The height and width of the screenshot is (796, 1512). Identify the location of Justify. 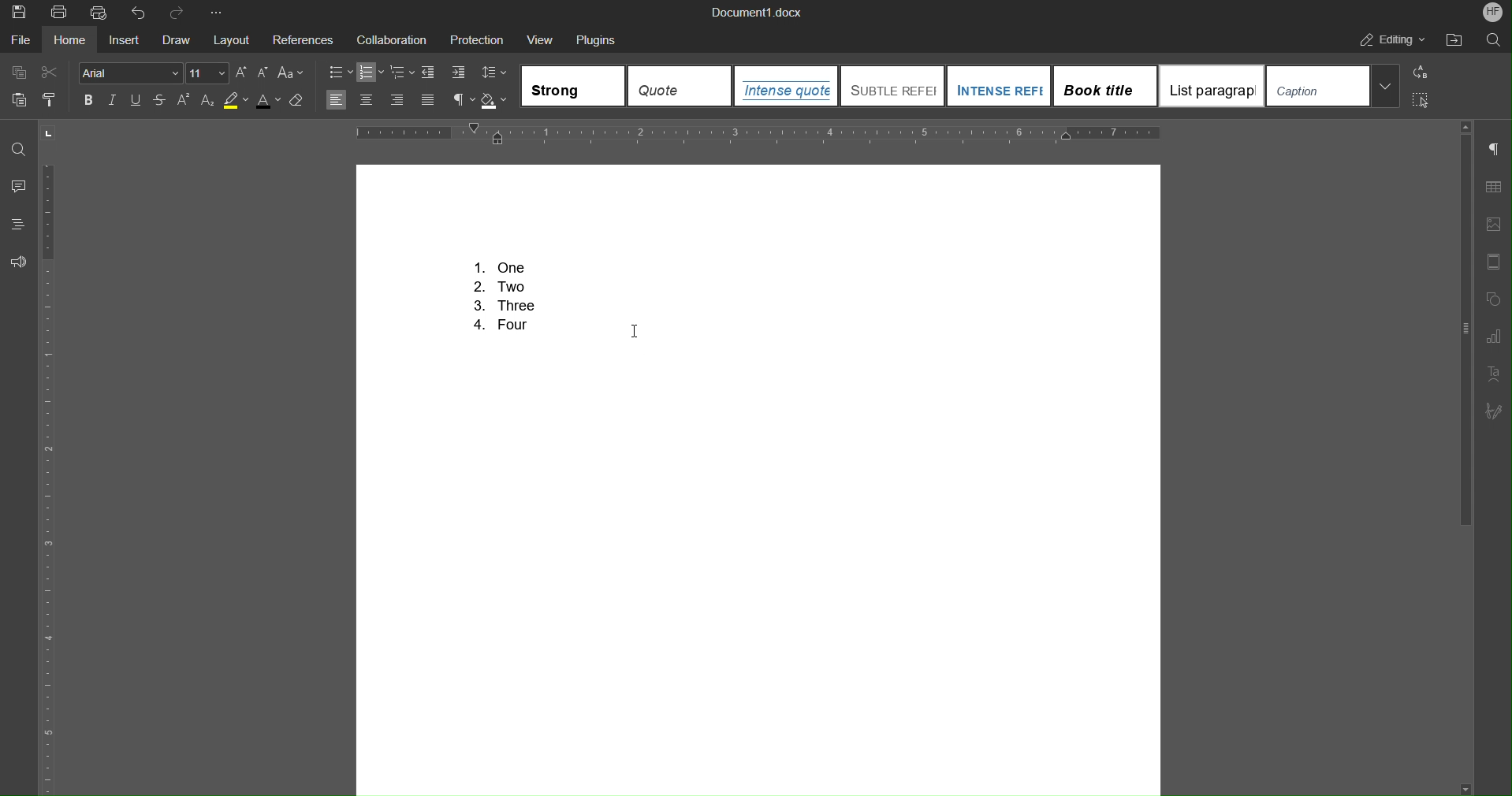
(426, 100).